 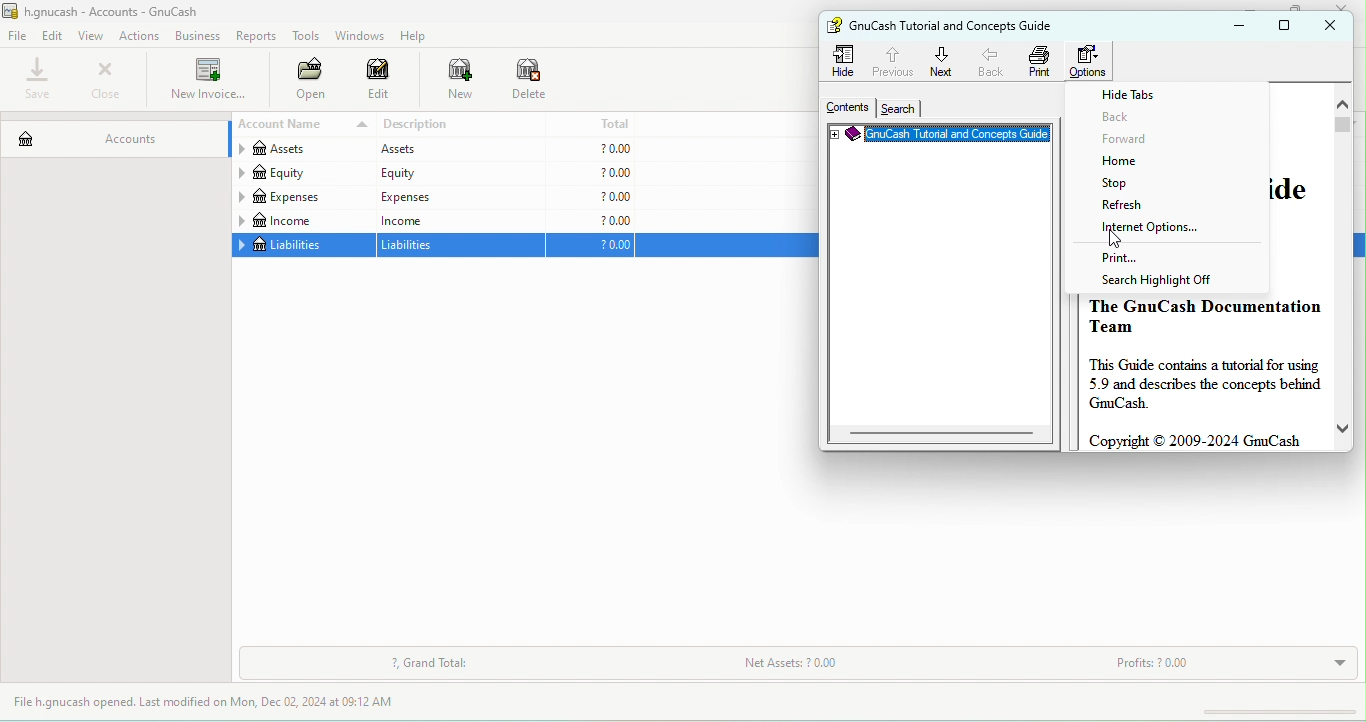 I want to click on equity, so click(x=301, y=174).